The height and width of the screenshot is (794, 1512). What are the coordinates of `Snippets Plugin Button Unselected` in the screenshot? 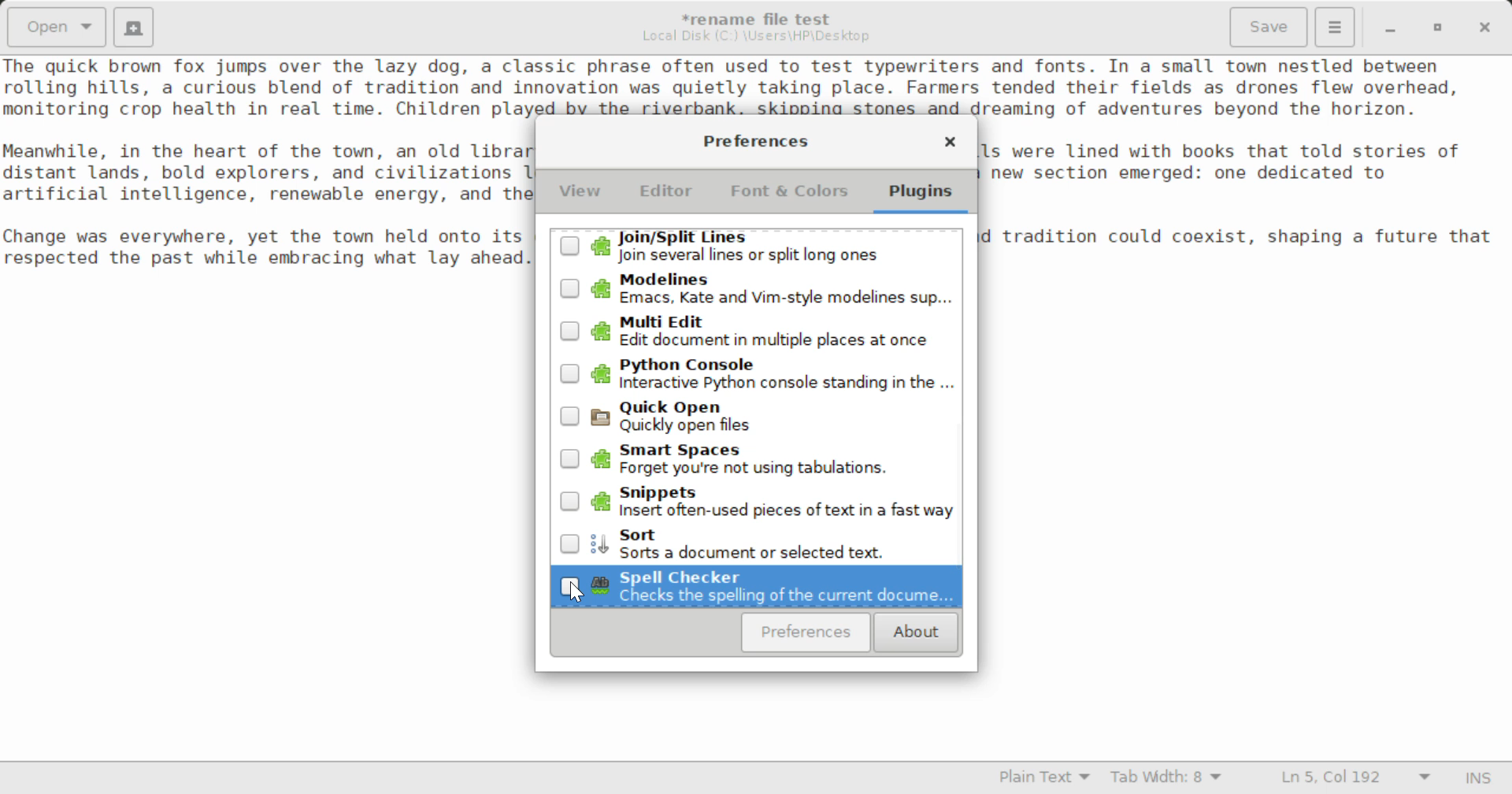 It's located at (757, 499).